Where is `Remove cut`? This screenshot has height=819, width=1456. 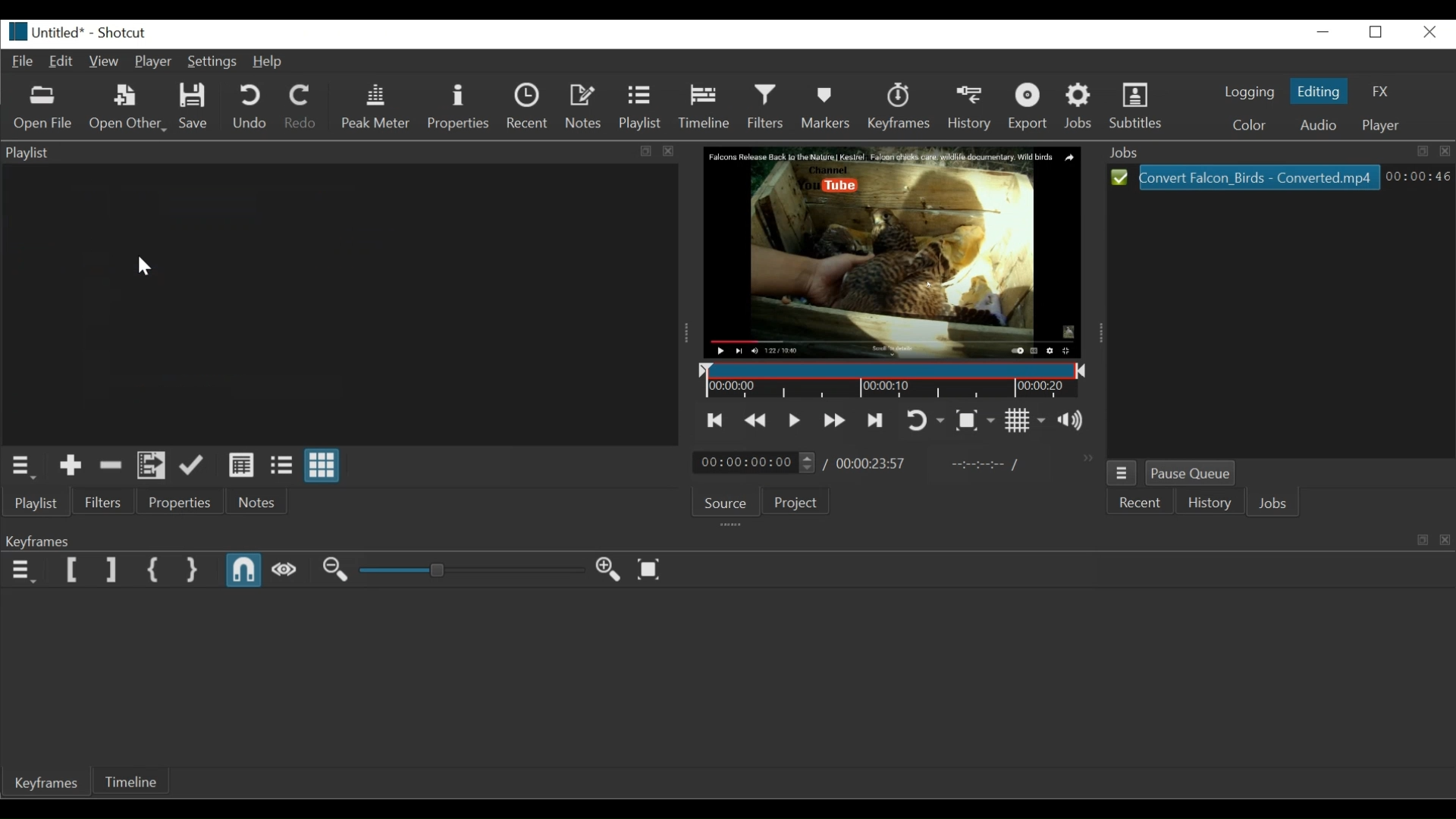
Remove cut is located at coordinates (112, 466).